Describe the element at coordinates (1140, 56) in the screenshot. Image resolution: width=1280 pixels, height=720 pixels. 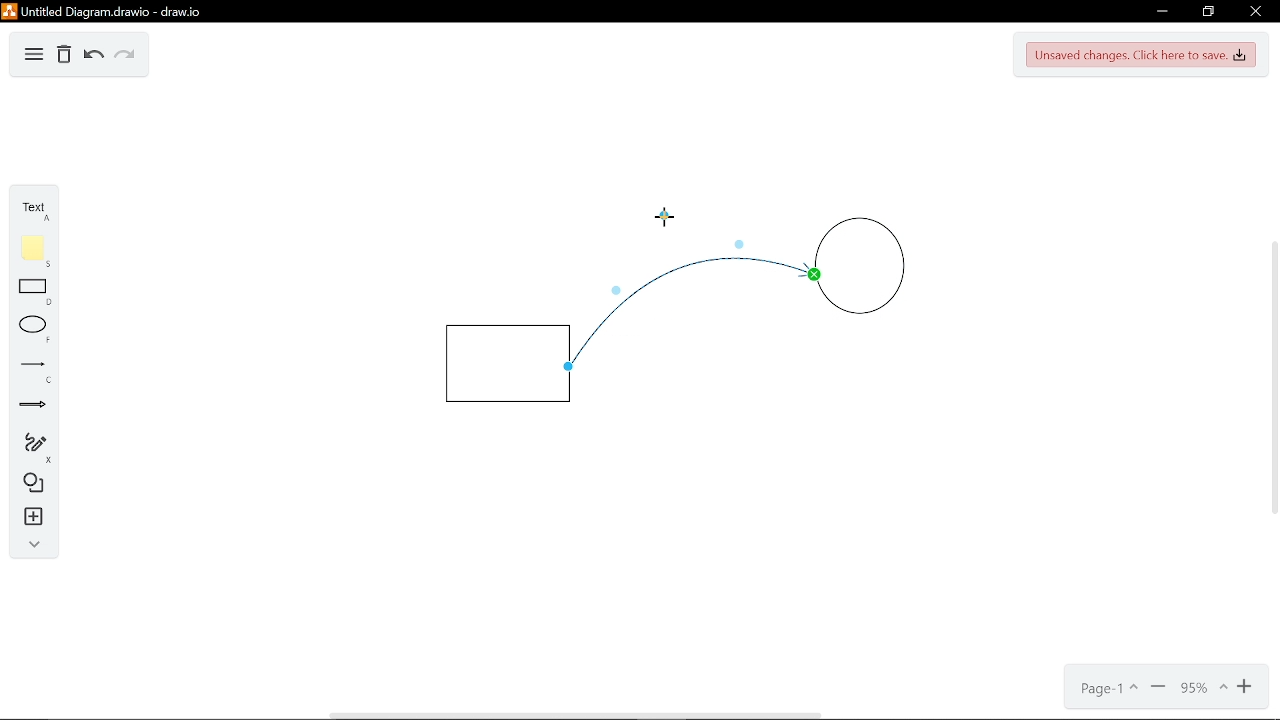
I see `Unsaved changes. Click here to save.` at that location.